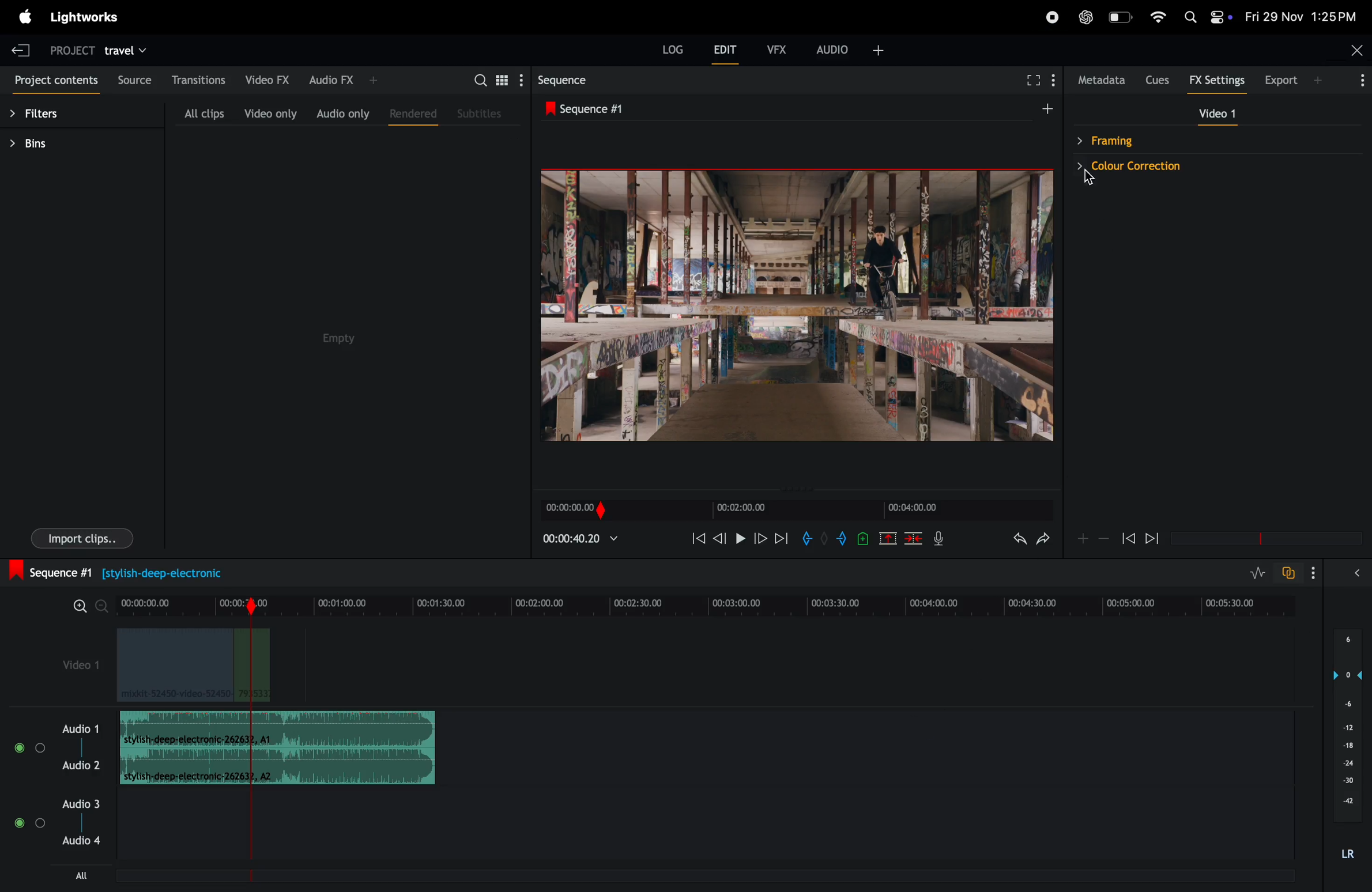  I want to click on nextframe, so click(761, 538).